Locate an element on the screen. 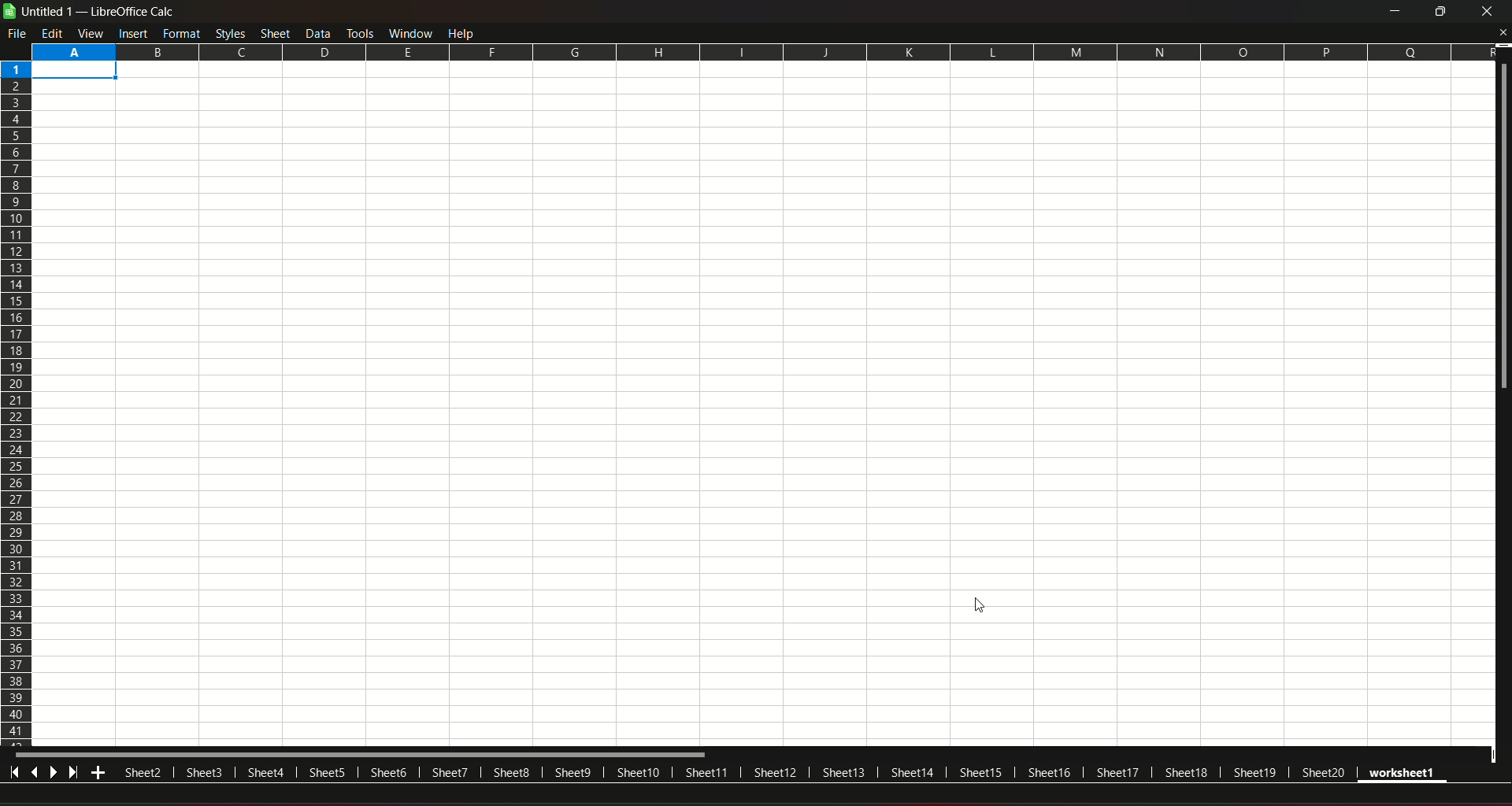 The height and width of the screenshot is (806, 1512). previous sheet is located at coordinates (36, 774).